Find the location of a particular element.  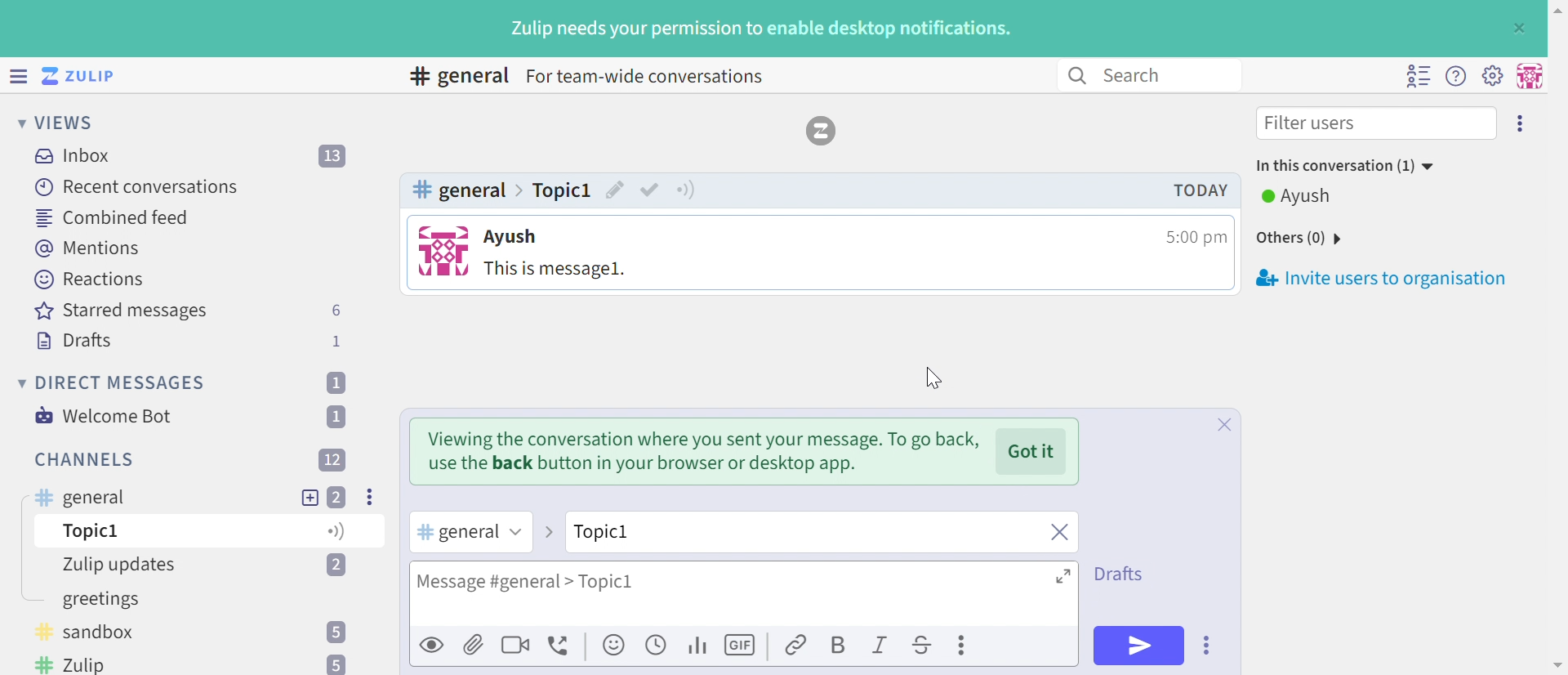

1 is located at coordinates (339, 341).